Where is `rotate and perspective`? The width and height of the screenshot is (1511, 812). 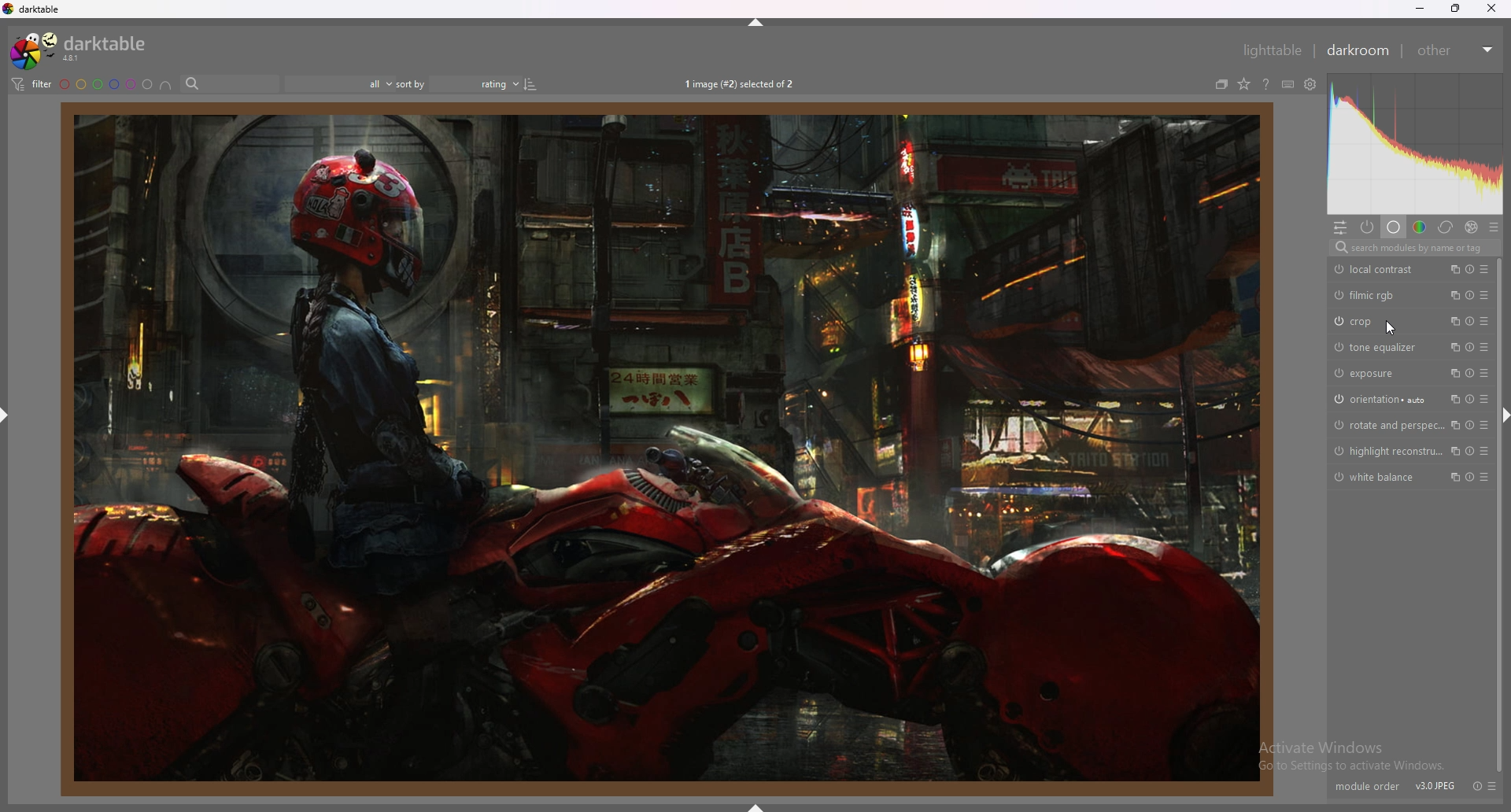 rotate and perspective is located at coordinates (1386, 425).